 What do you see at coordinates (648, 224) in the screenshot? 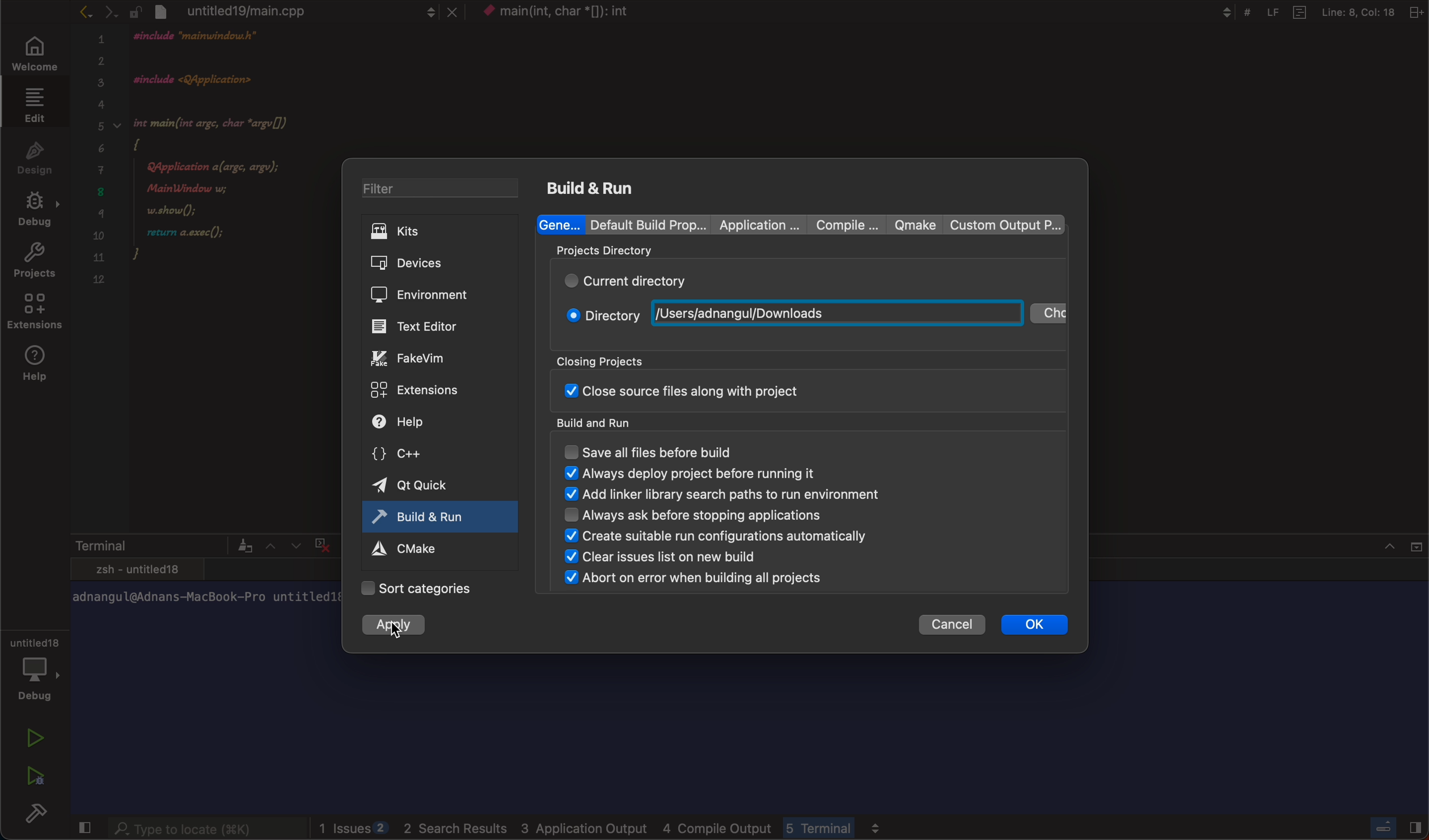
I see `Default build properties ` at bounding box center [648, 224].